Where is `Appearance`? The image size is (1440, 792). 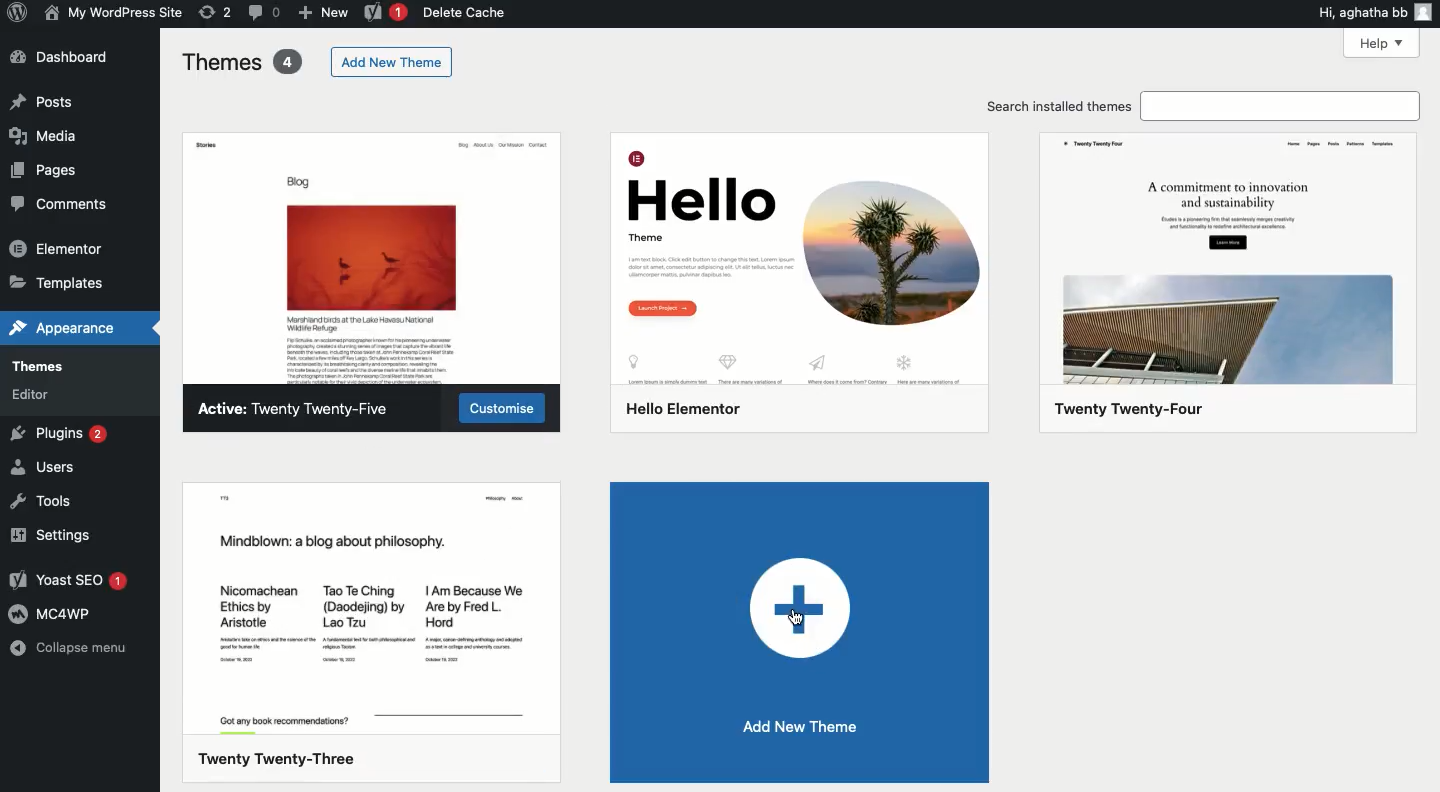
Appearance is located at coordinates (62, 325).